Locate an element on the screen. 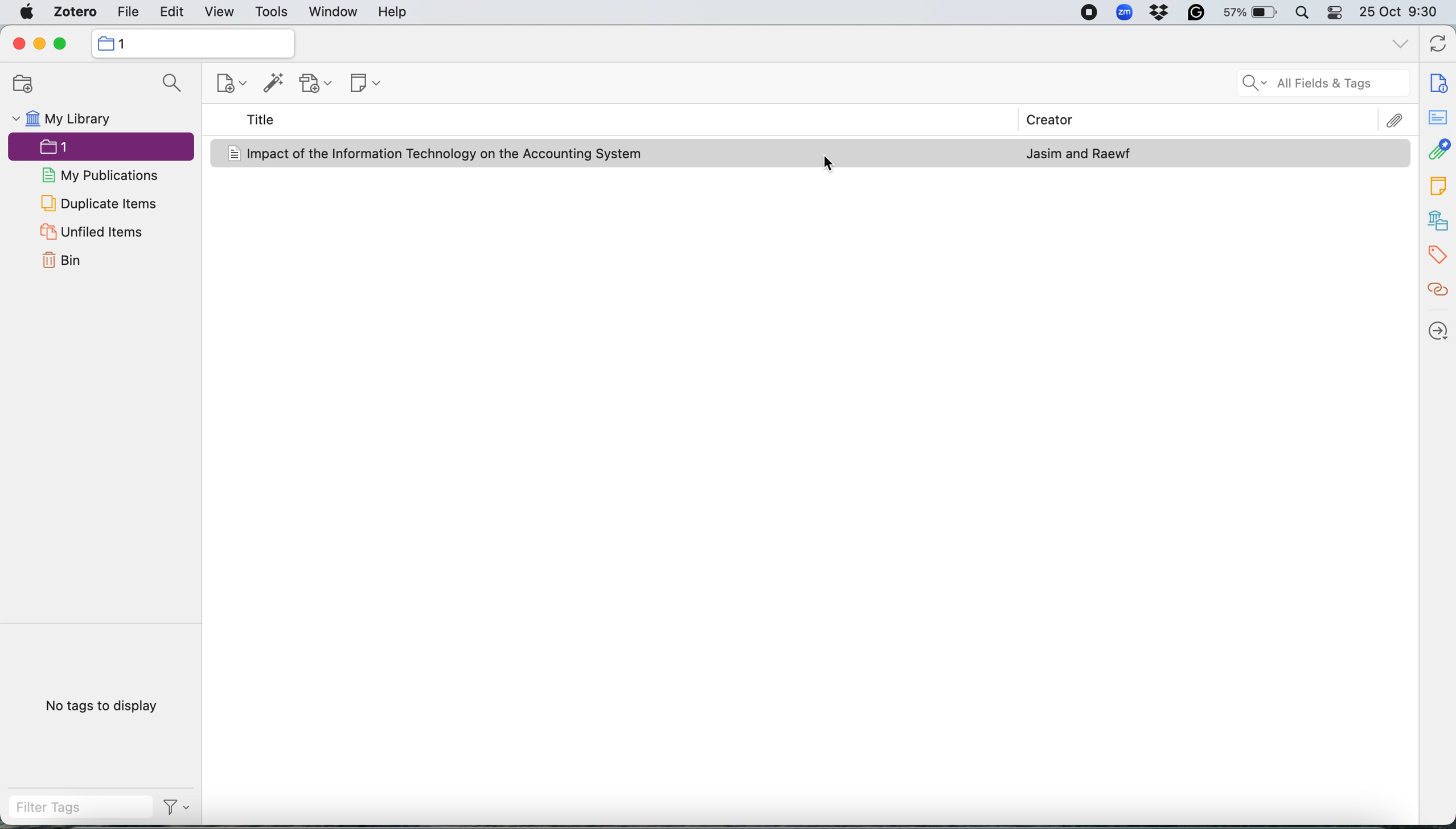 This screenshot has width=1456, height=829. filter tags is located at coordinates (73, 810).